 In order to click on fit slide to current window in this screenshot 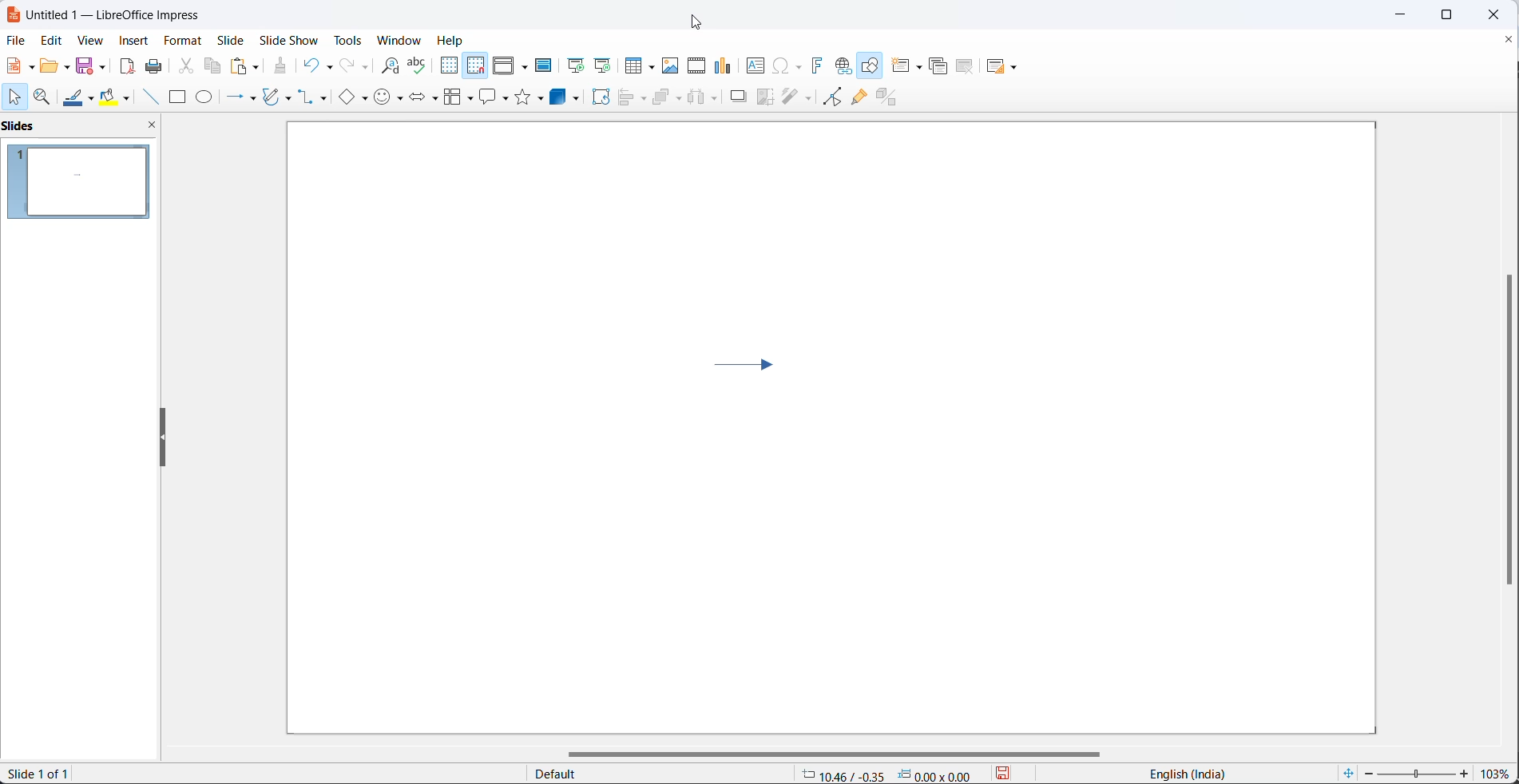, I will do `click(1346, 774)`.